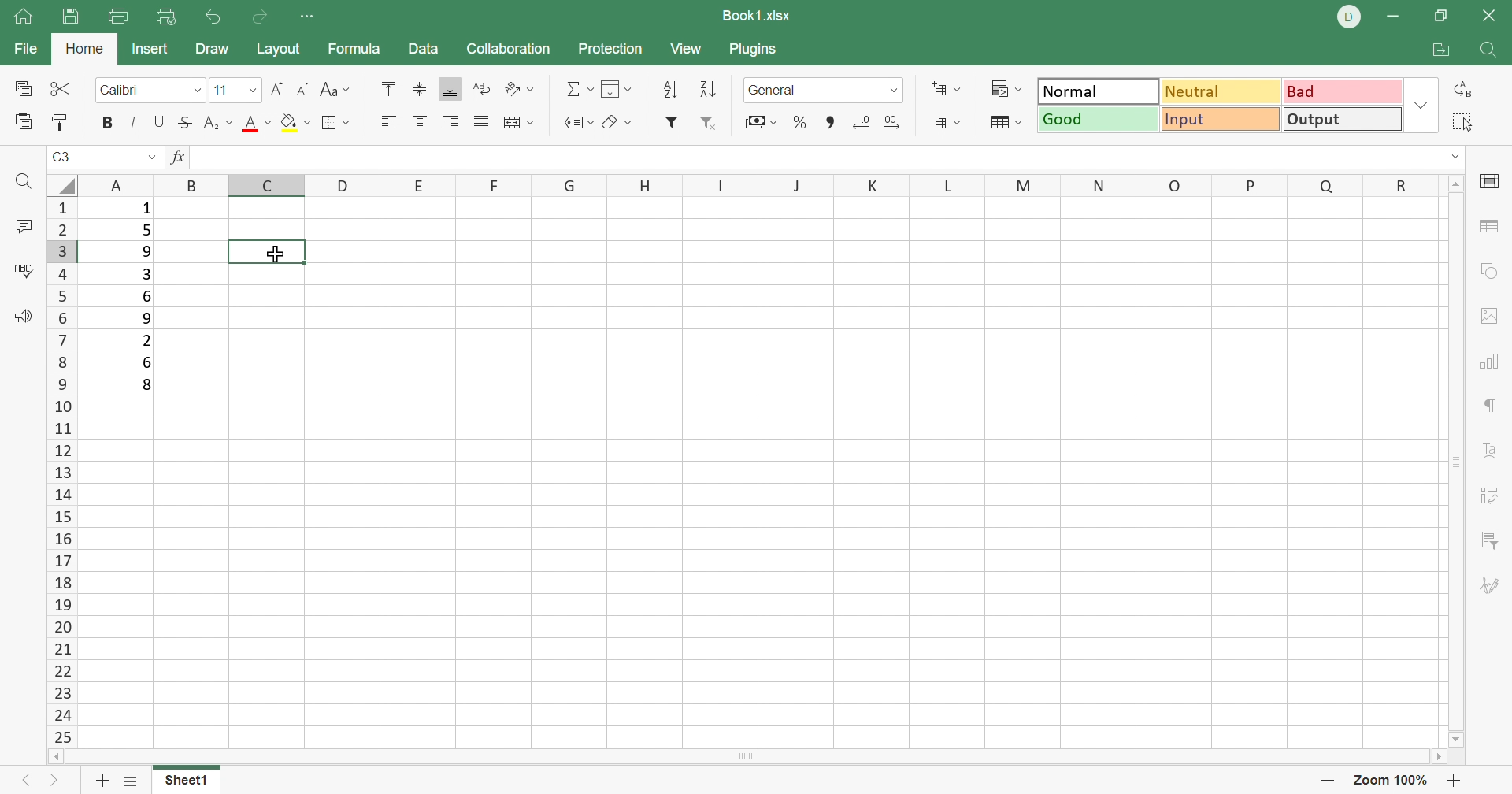 Image resolution: width=1512 pixels, height=794 pixels. I want to click on Scroll Down, so click(1449, 736).